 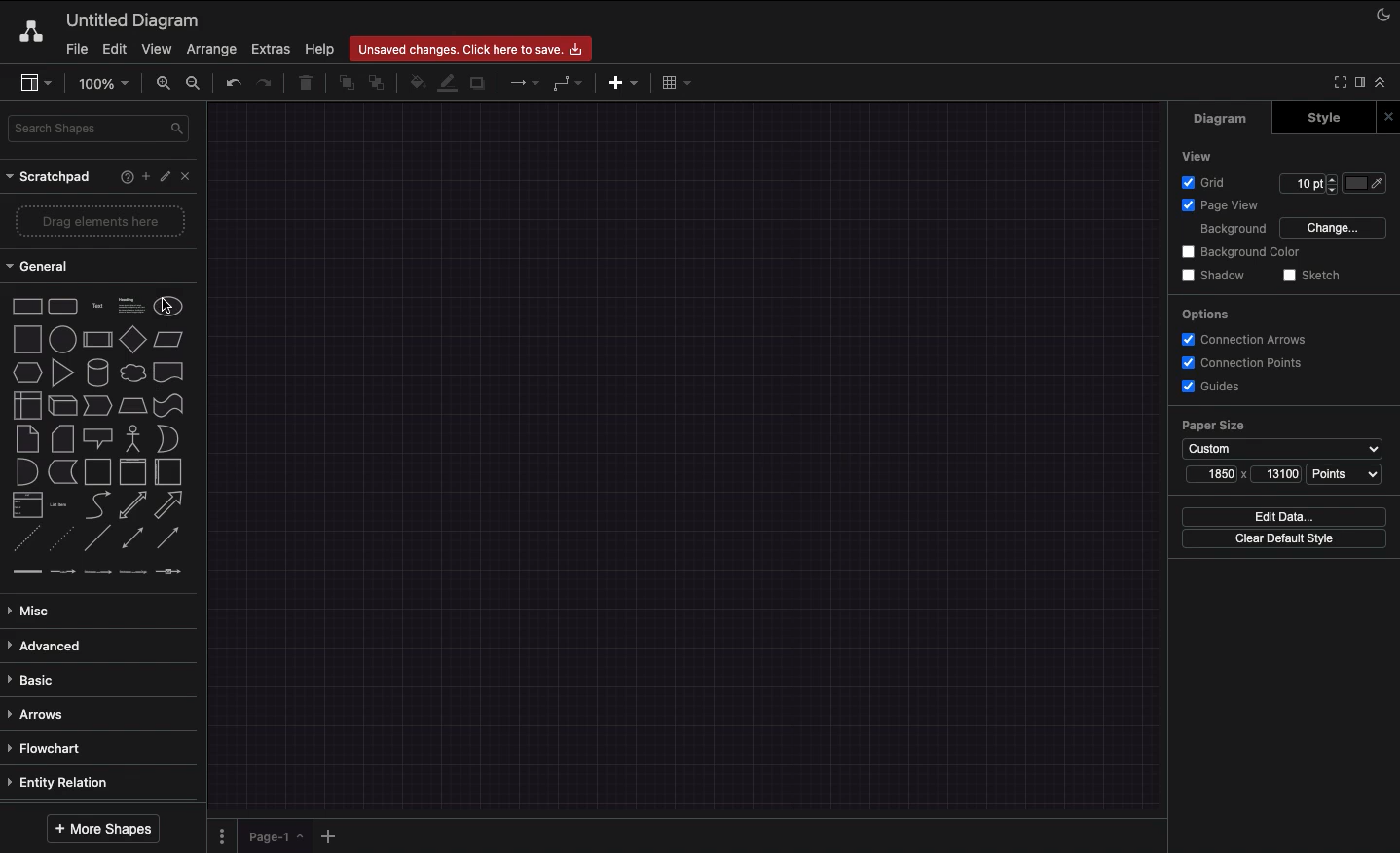 What do you see at coordinates (1307, 181) in the screenshot?
I see `10 pt` at bounding box center [1307, 181].